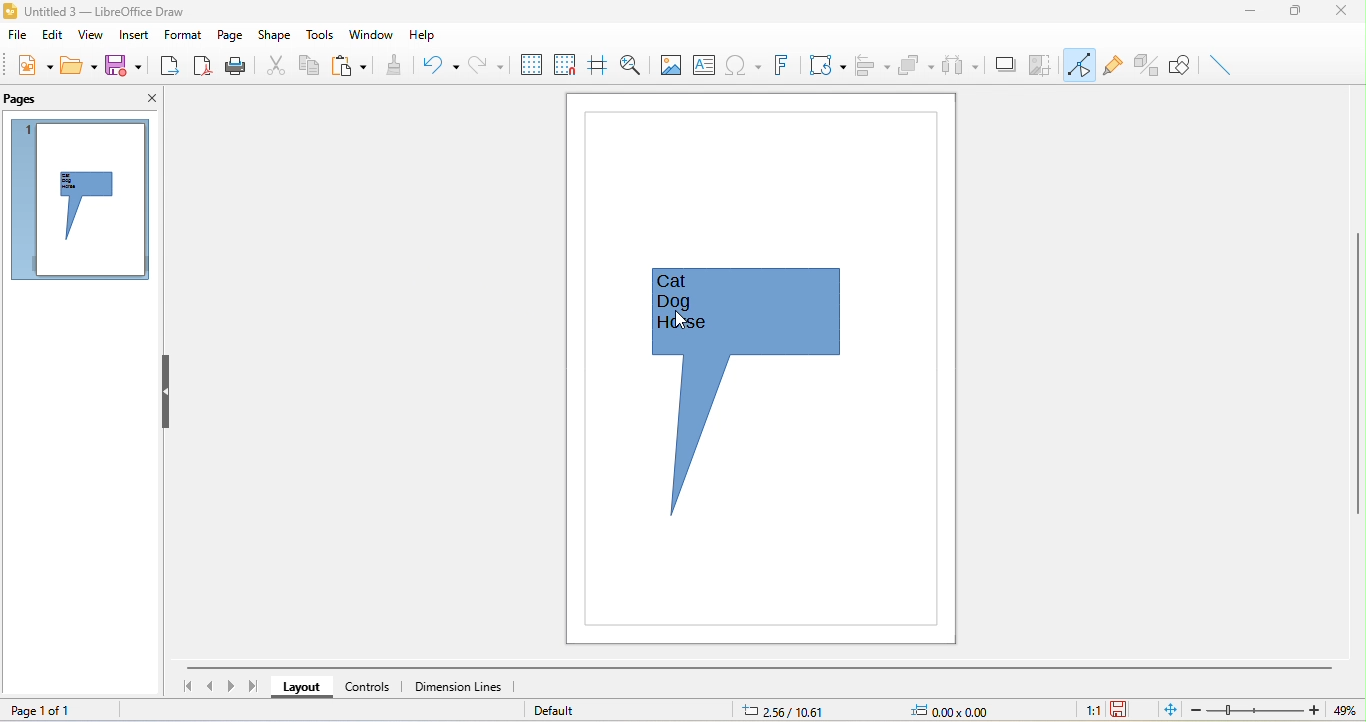 The height and width of the screenshot is (722, 1366). I want to click on house, so click(691, 330).